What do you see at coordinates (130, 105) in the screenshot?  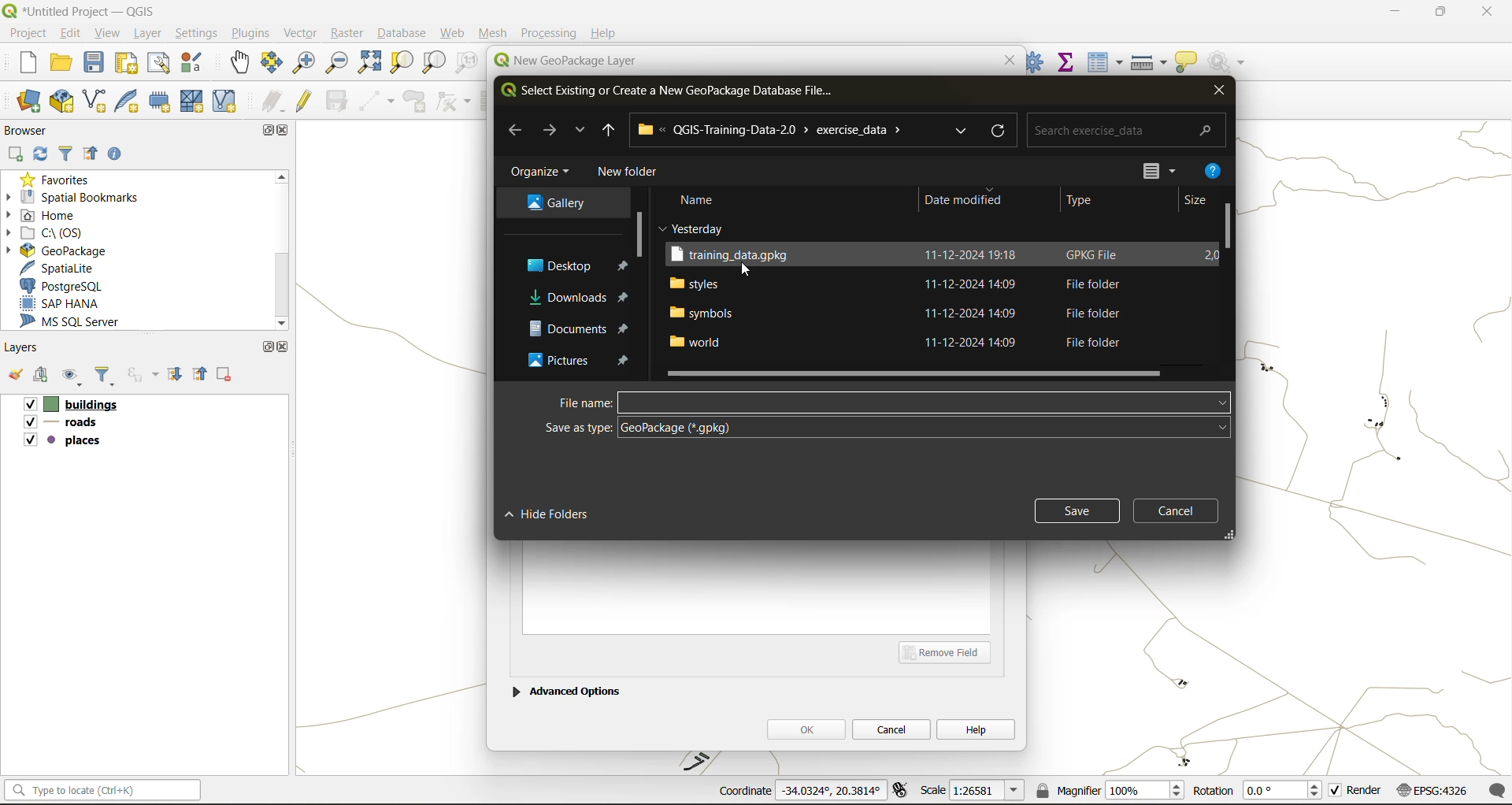 I see `new spatialite` at bounding box center [130, 105].